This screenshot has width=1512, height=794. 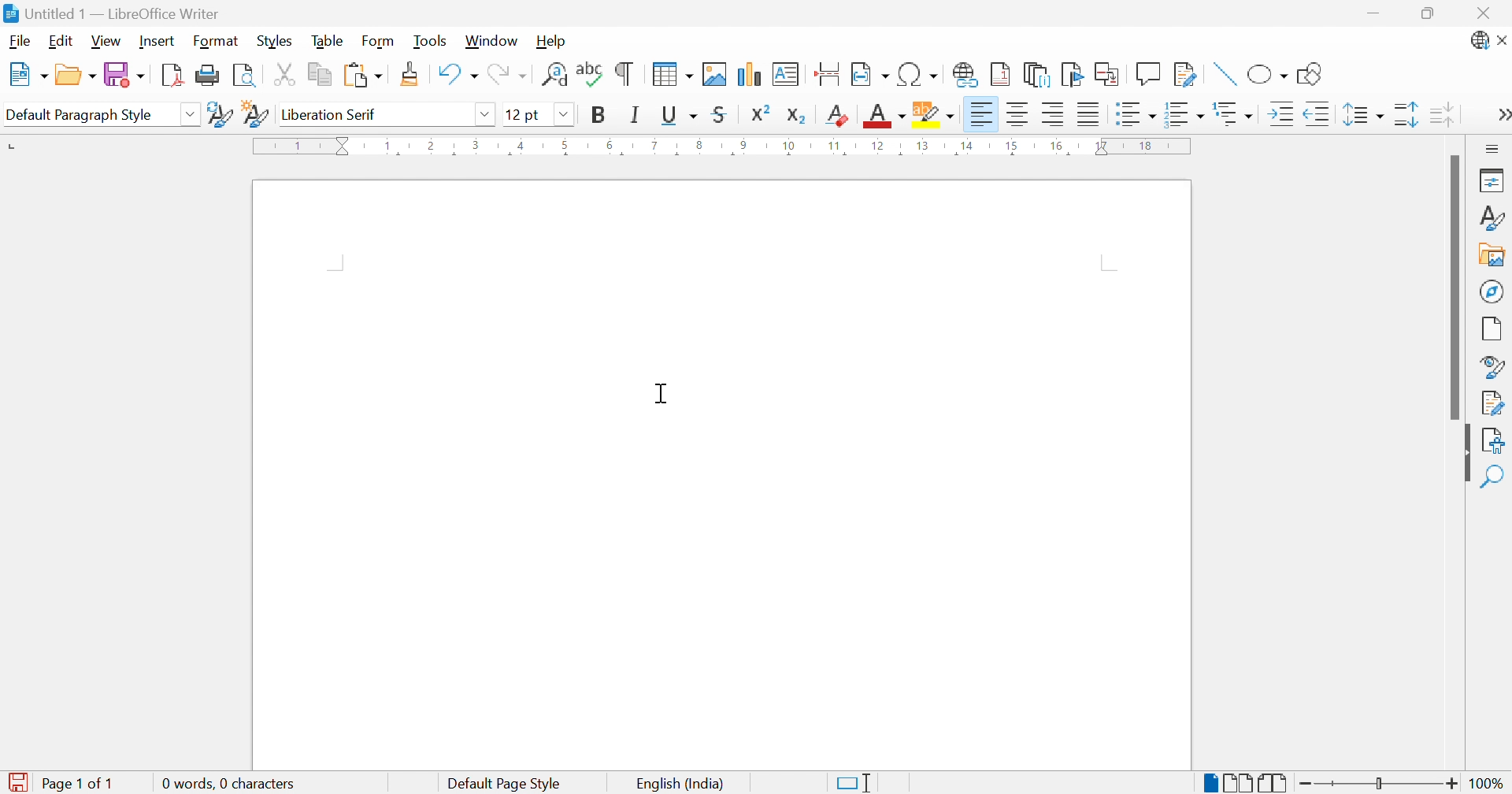 I want to click on Show track changes functions, so click(x=1185, y=75).